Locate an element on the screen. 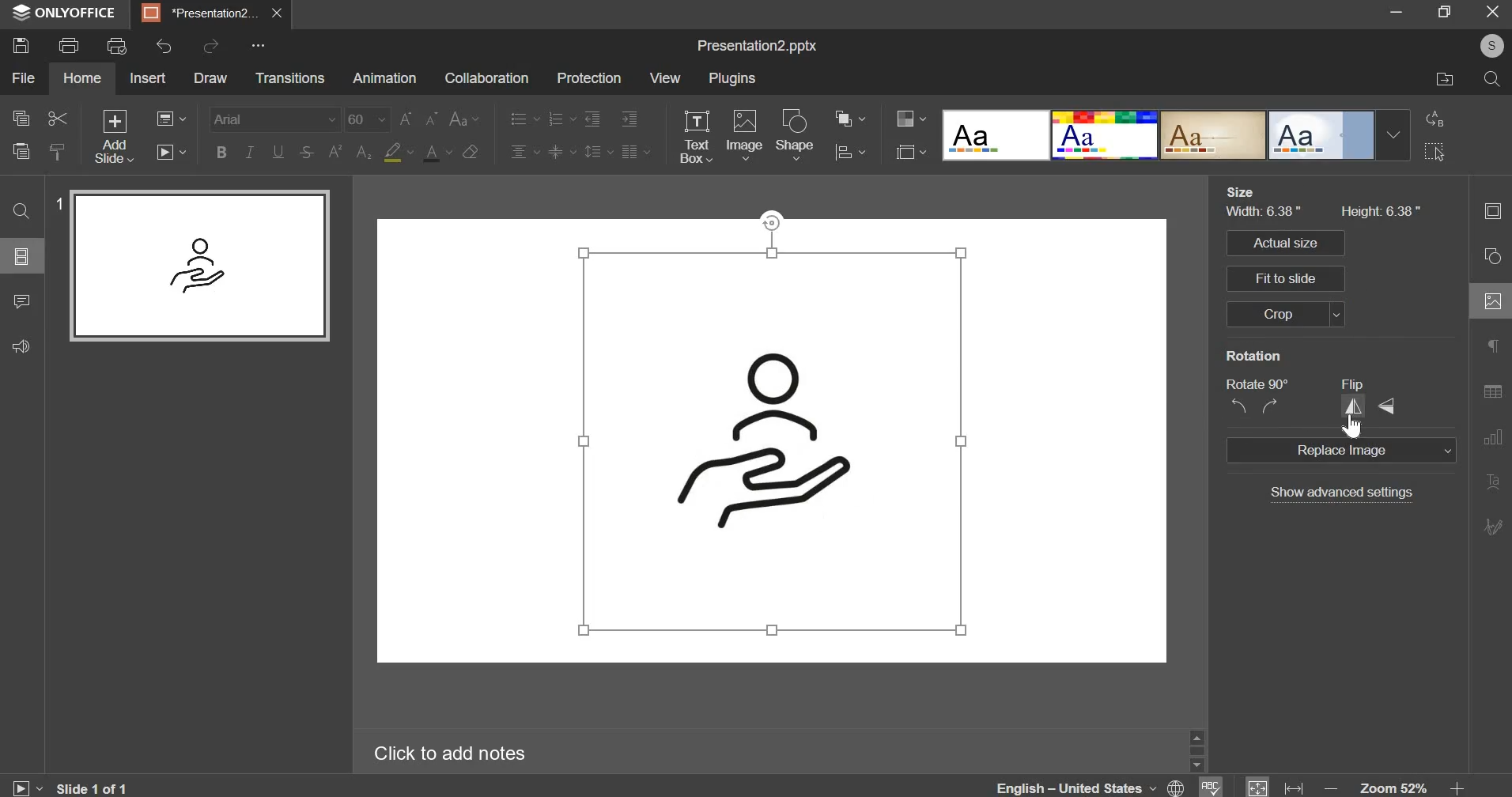  undo is located at coordinates (164, 46).